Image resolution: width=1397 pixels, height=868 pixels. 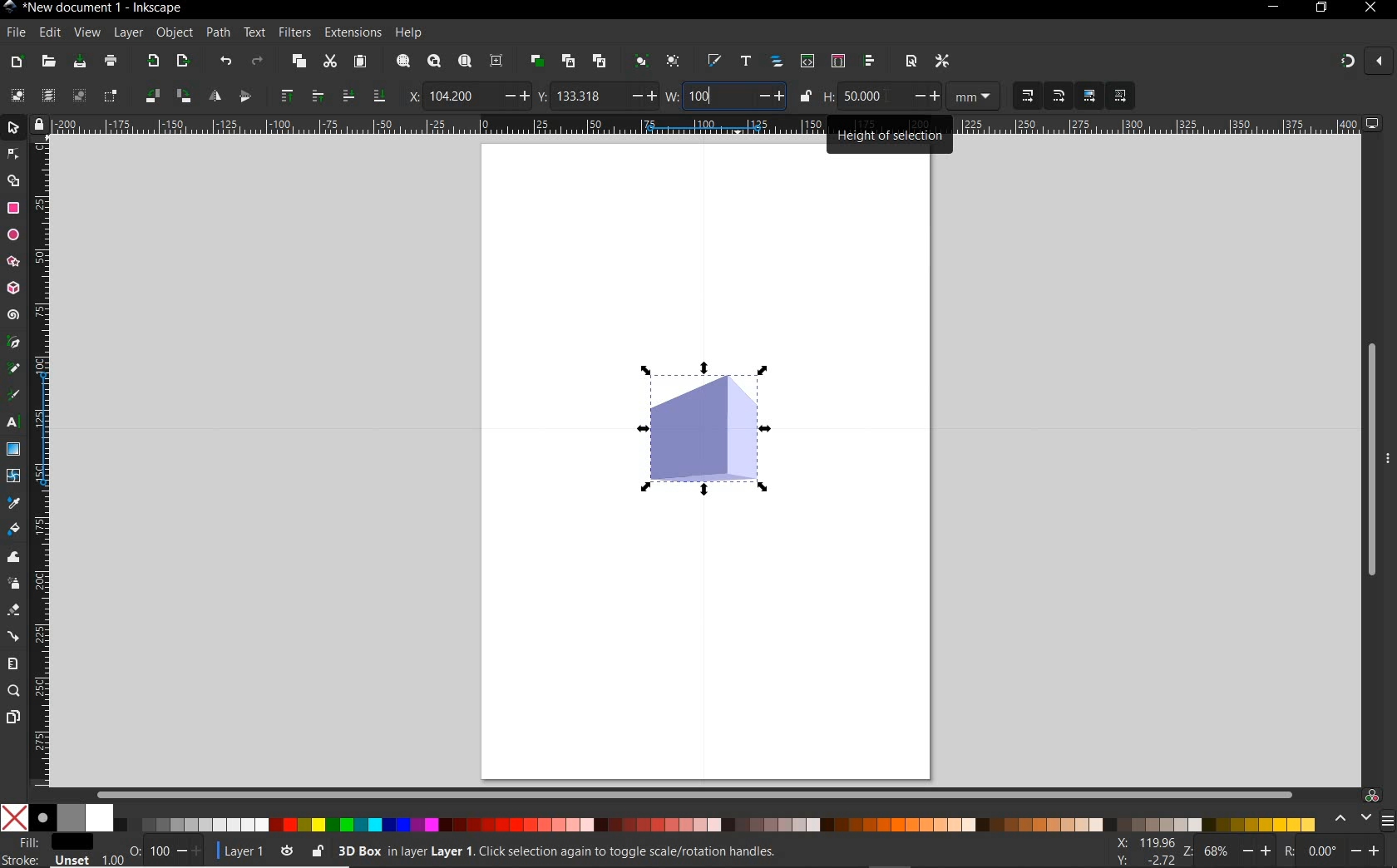 What do you see at coordinates (13, 558) in the screenshot?
I see `tweak tool` at bounding box center [13, 558].